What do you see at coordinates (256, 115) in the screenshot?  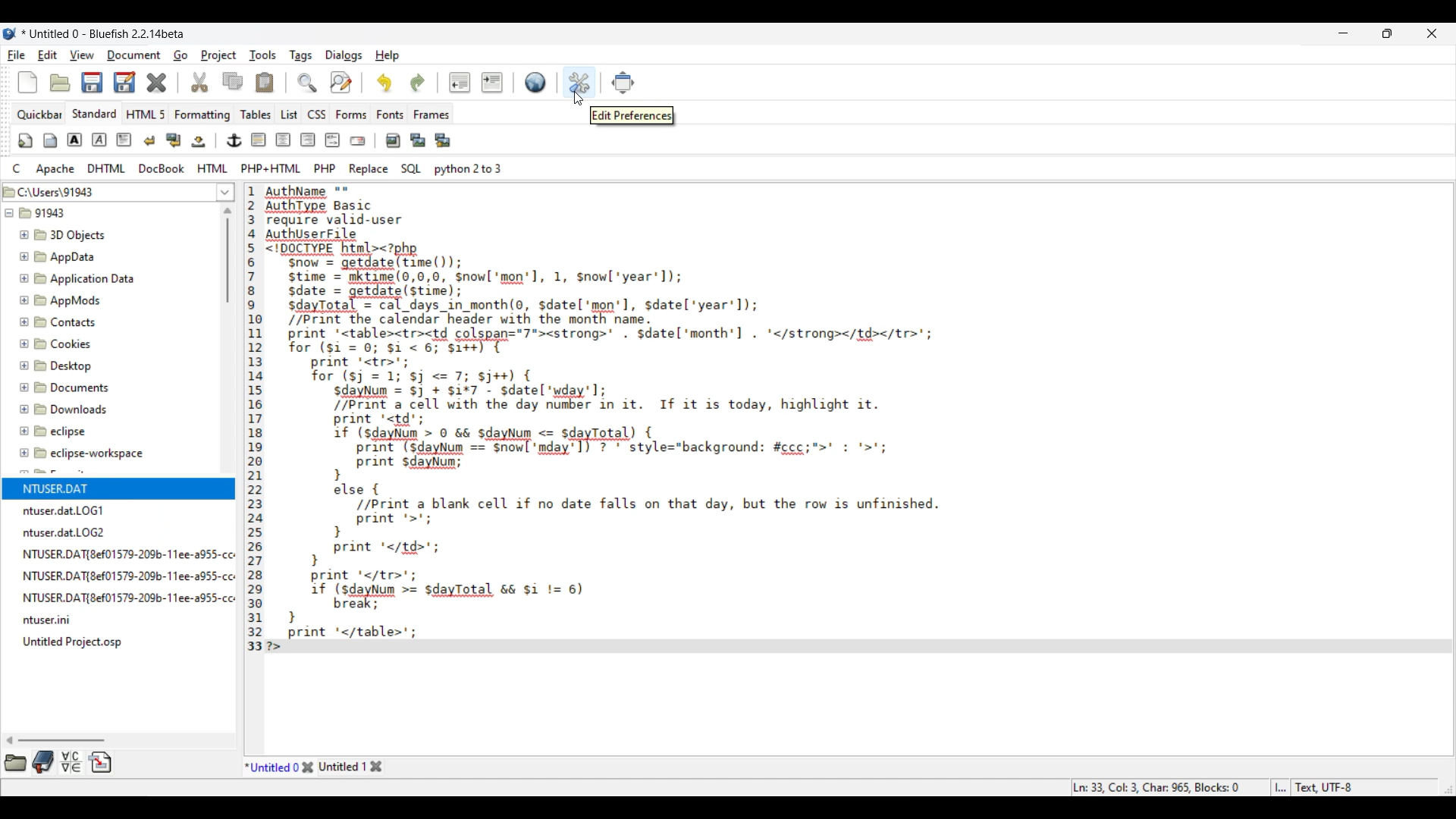 I see `Tables menu` at bounding box center [256, 115].